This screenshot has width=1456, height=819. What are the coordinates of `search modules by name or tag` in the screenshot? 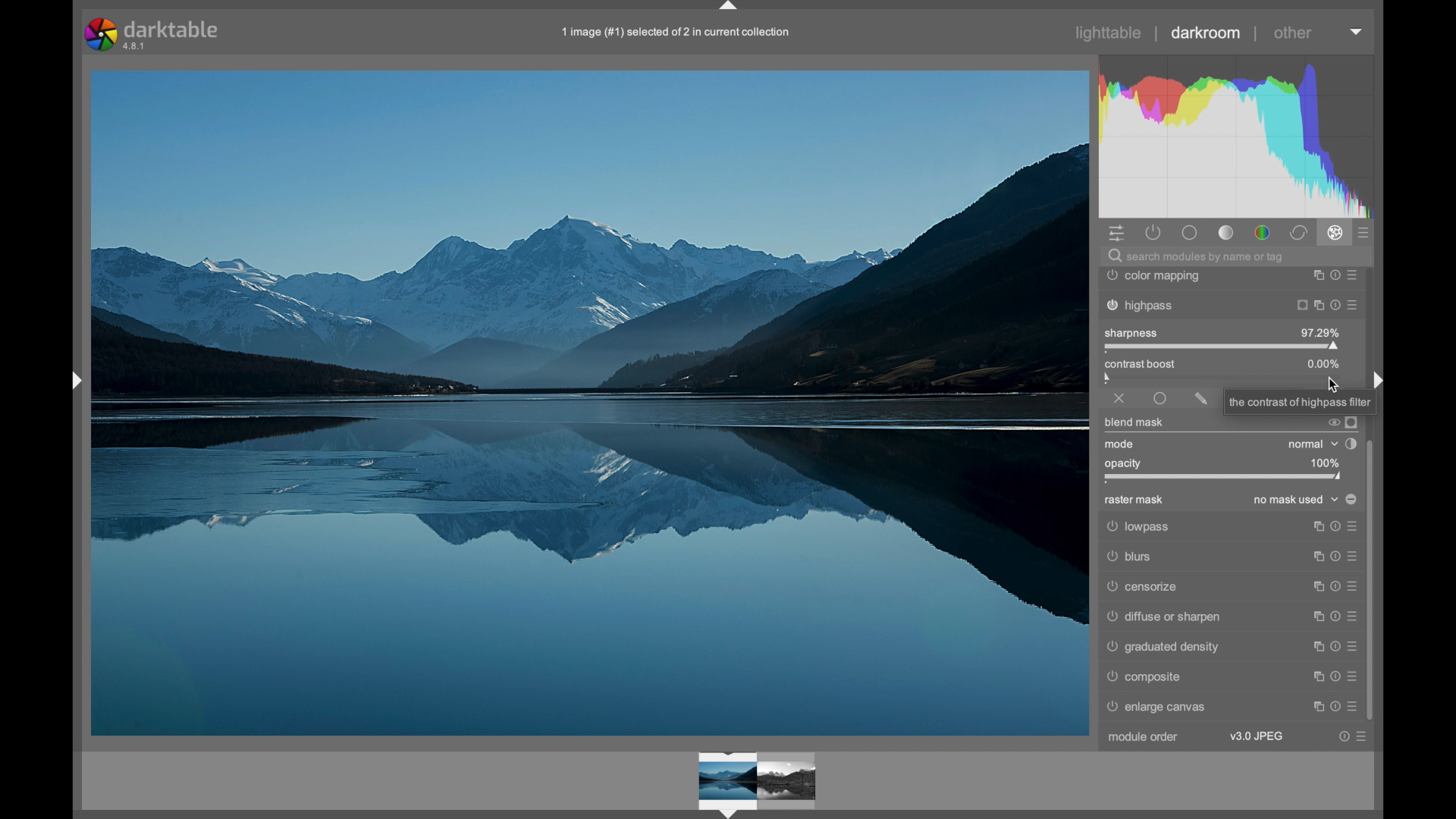 It's located at (1196, 257).